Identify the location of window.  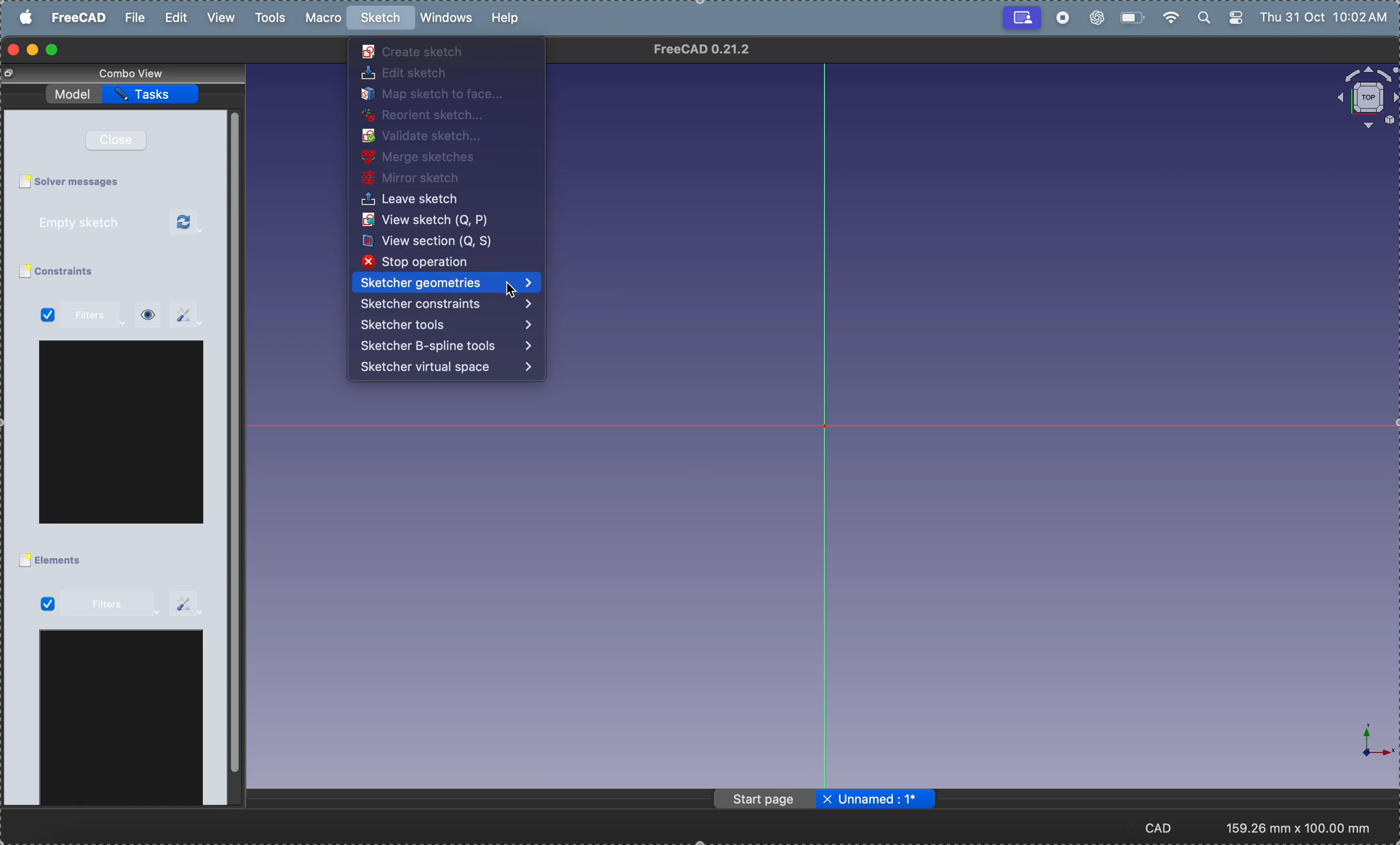
(122, 721).